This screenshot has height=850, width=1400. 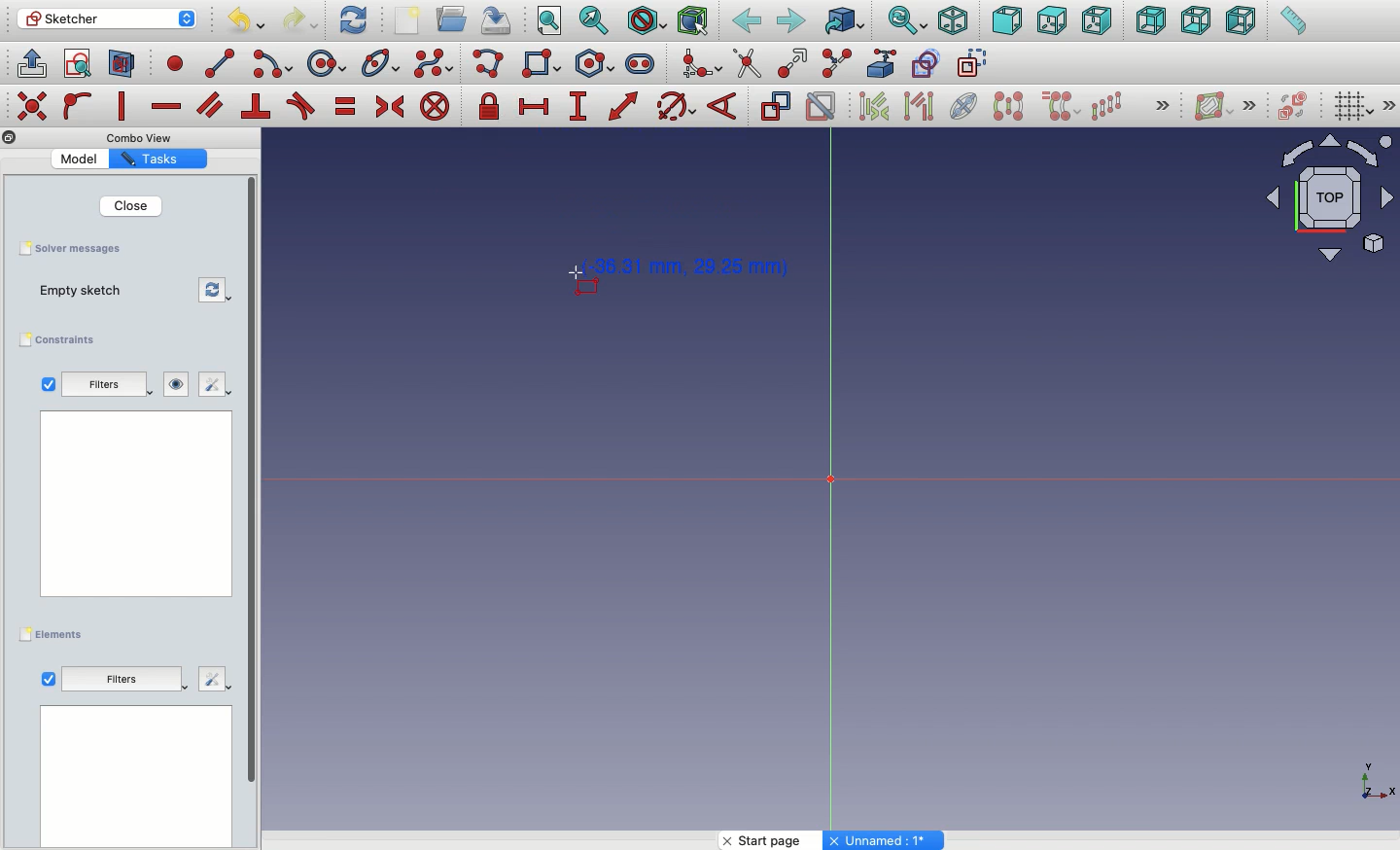 What do you see at coordinates (137, 503) in the screenshot?
I see `workspace` at bounding box center [137, 503].